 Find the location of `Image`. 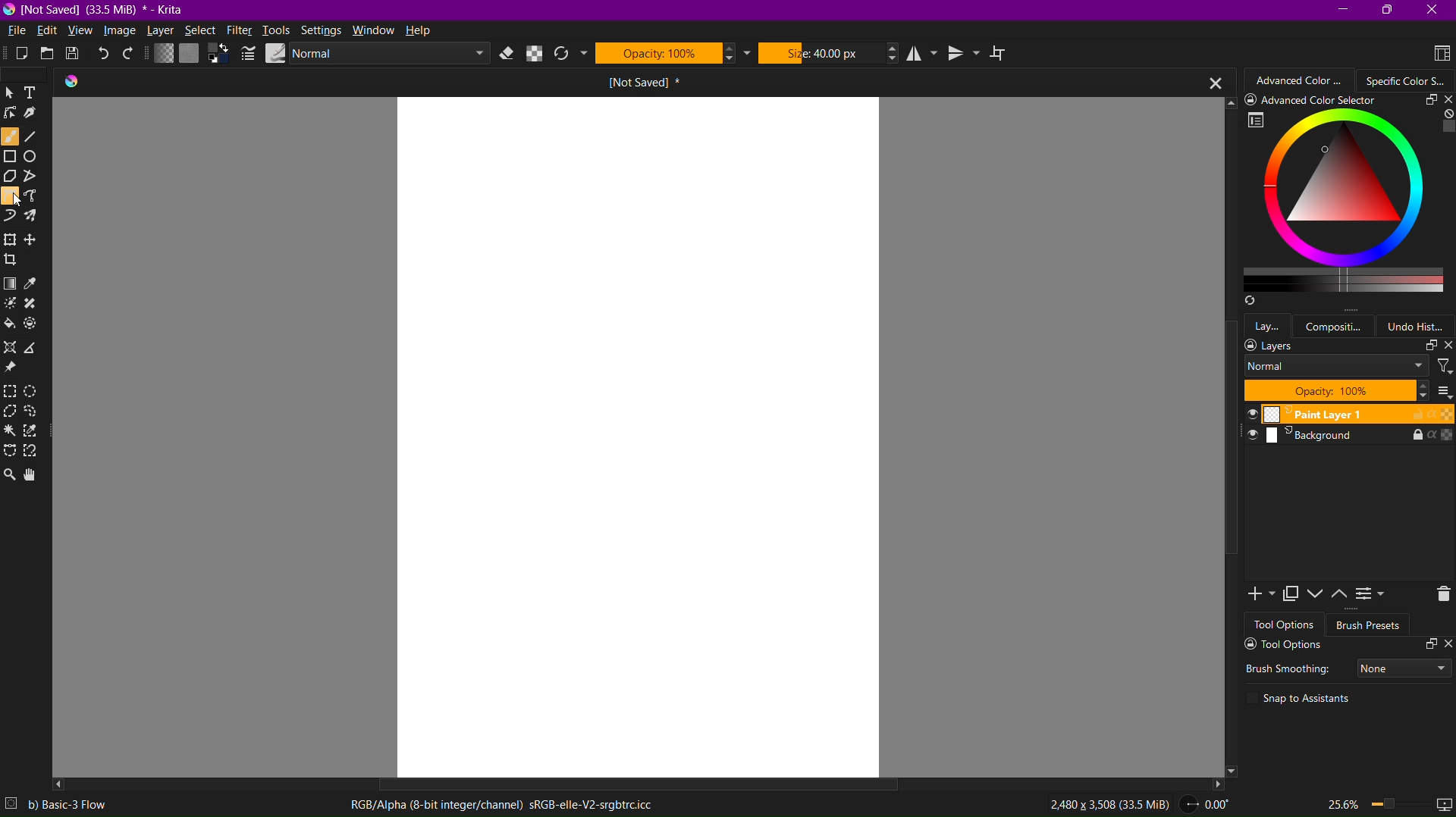

Image is located at coordinates (121, 32).